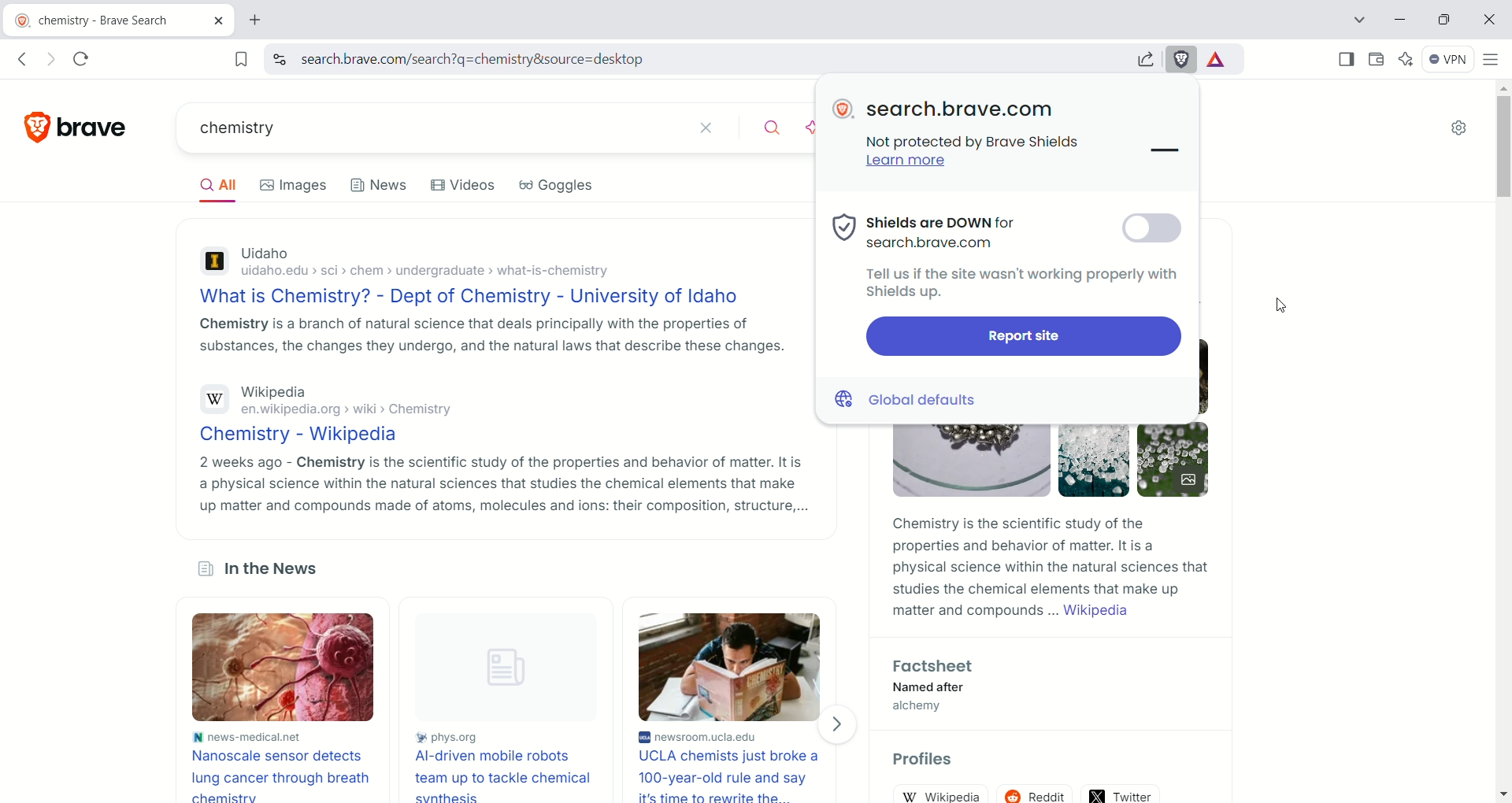  What do you see at coordinates (500, 739) in the screenshot?
I see `phys.org` at bounding box center [500, 739].